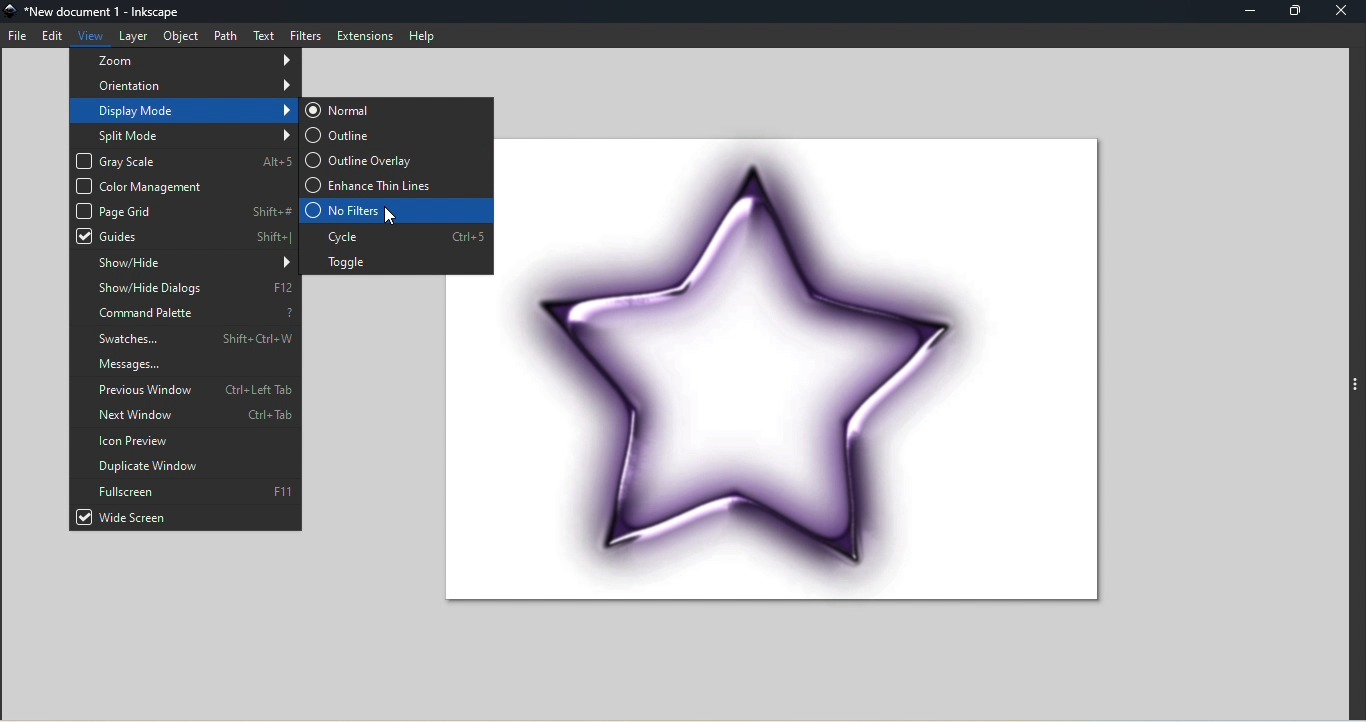  Describe the element at coordinates (188, 519) in the screenshot. I see `Wide screen` at that location.